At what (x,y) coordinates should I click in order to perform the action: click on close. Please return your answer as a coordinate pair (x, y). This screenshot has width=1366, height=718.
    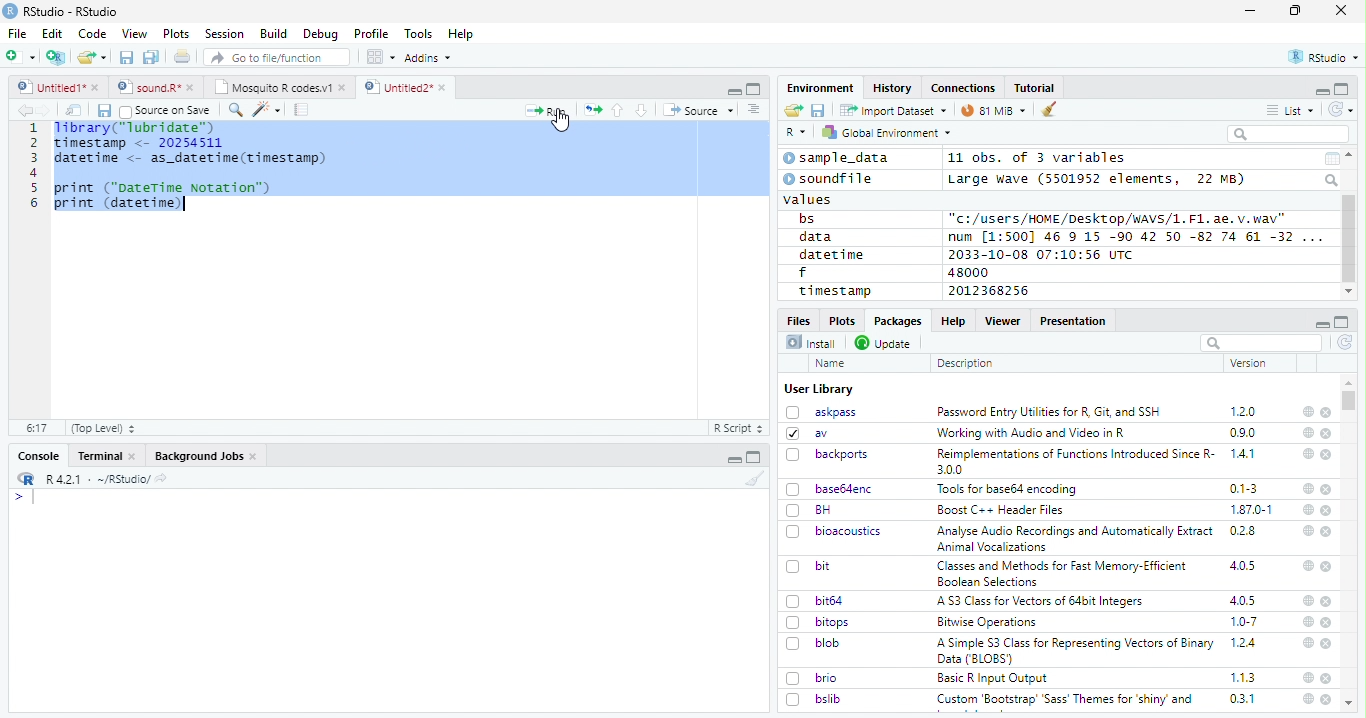
    Looking at the image, I should click on (1328, 602).